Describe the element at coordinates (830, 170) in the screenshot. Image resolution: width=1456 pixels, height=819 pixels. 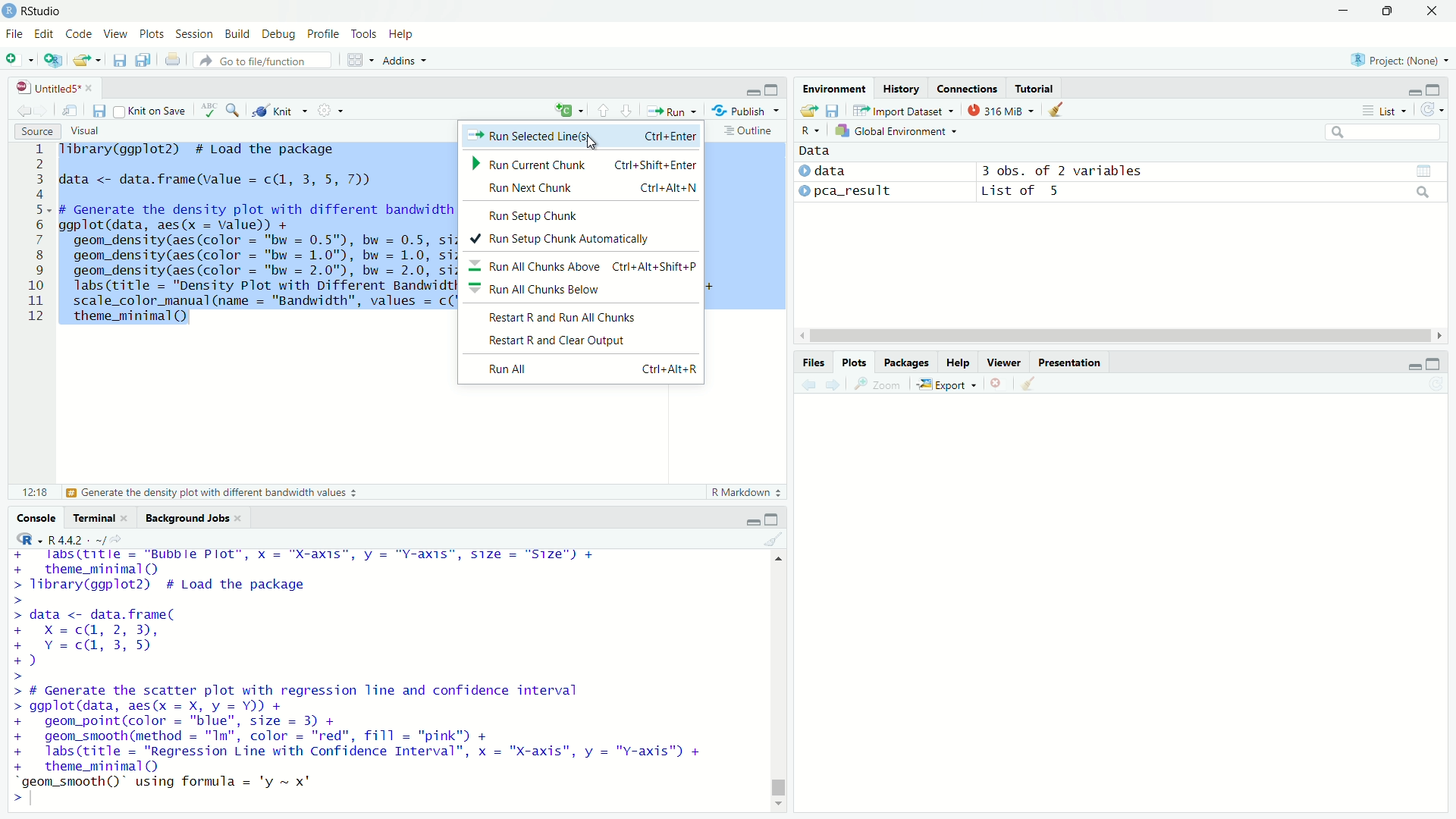
I see `data` at that location.